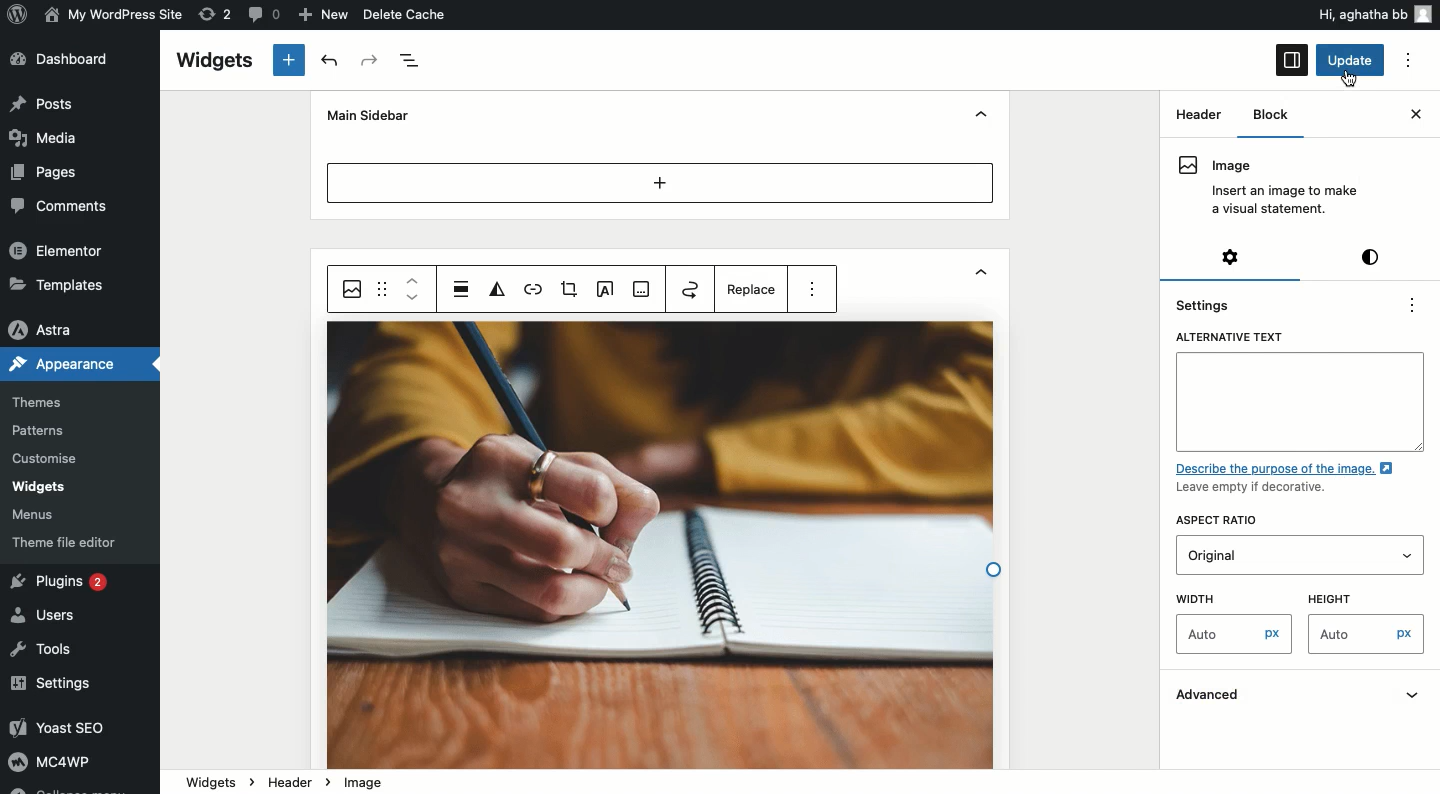 This screenshot has width=1440, height=794. What do you see at coordinates (1233, 256) in the screenshot?
I see `Settings` at bounding box center [1233, 256].